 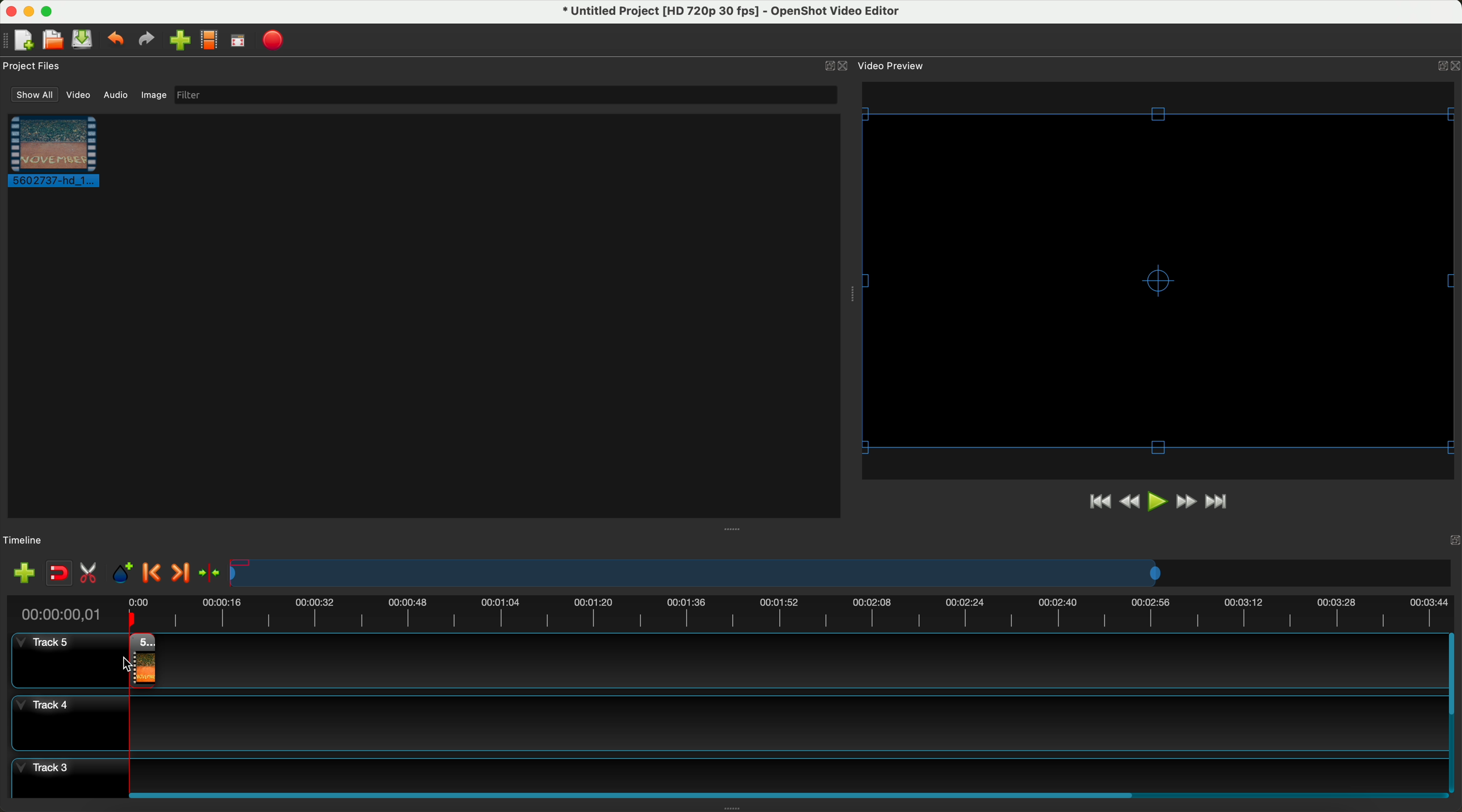 I want to click on next marker, so click(x=184, y=570).